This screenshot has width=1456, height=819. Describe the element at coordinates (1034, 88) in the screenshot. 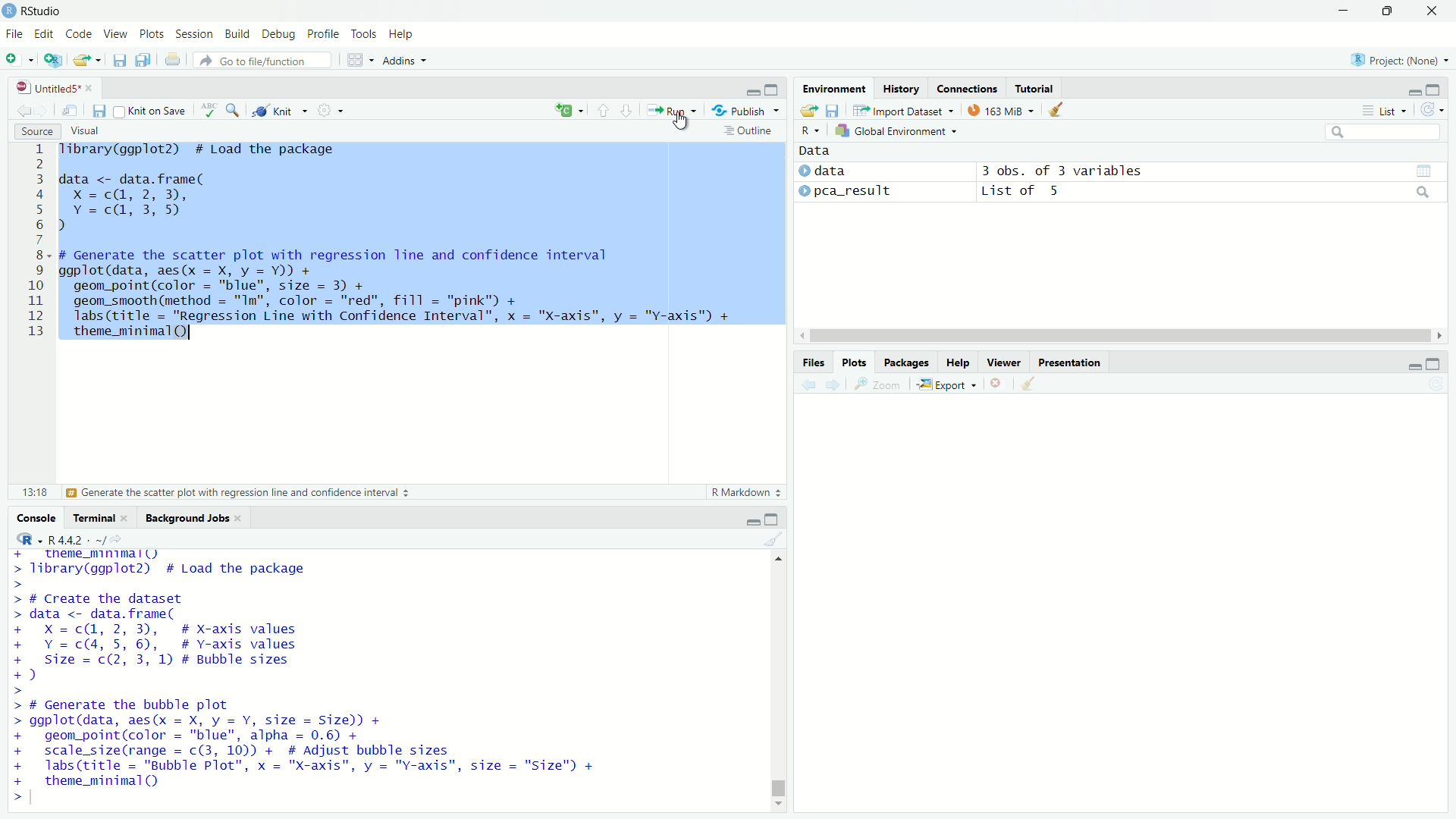

I see `Tutorial` at that location.